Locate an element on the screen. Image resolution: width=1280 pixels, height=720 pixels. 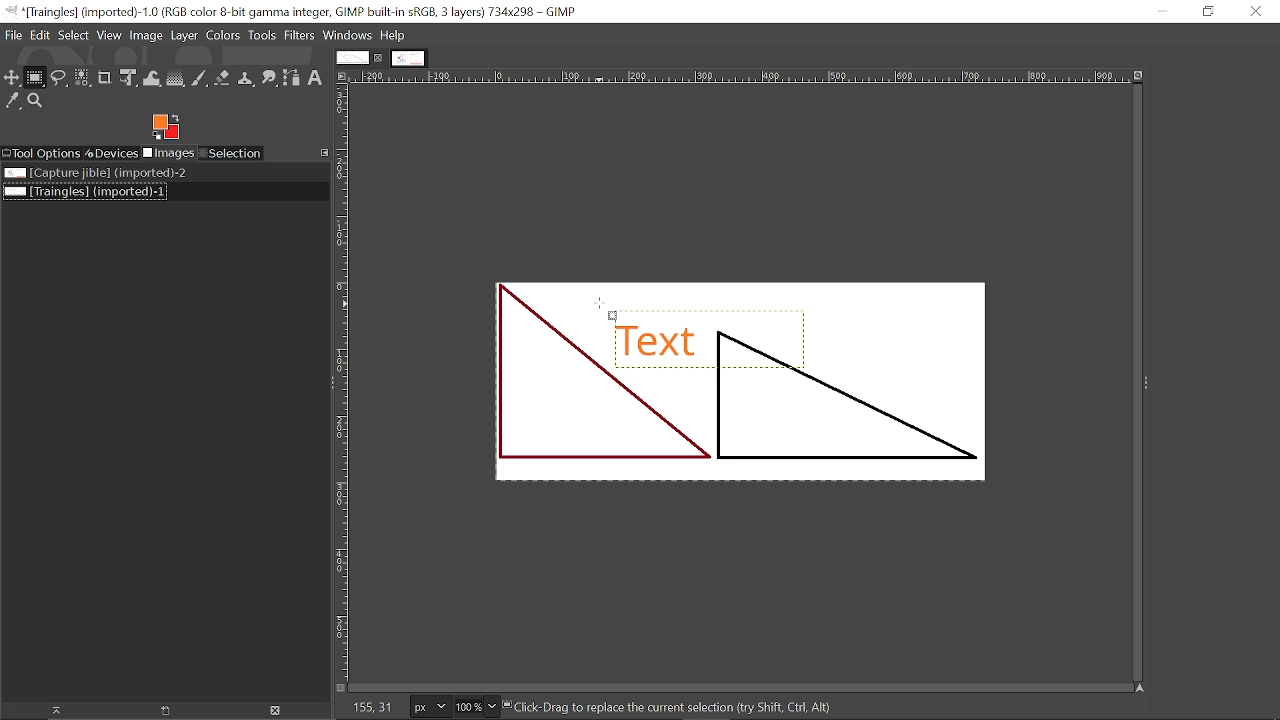
Configure this tab is located at coordinates (324, 152).